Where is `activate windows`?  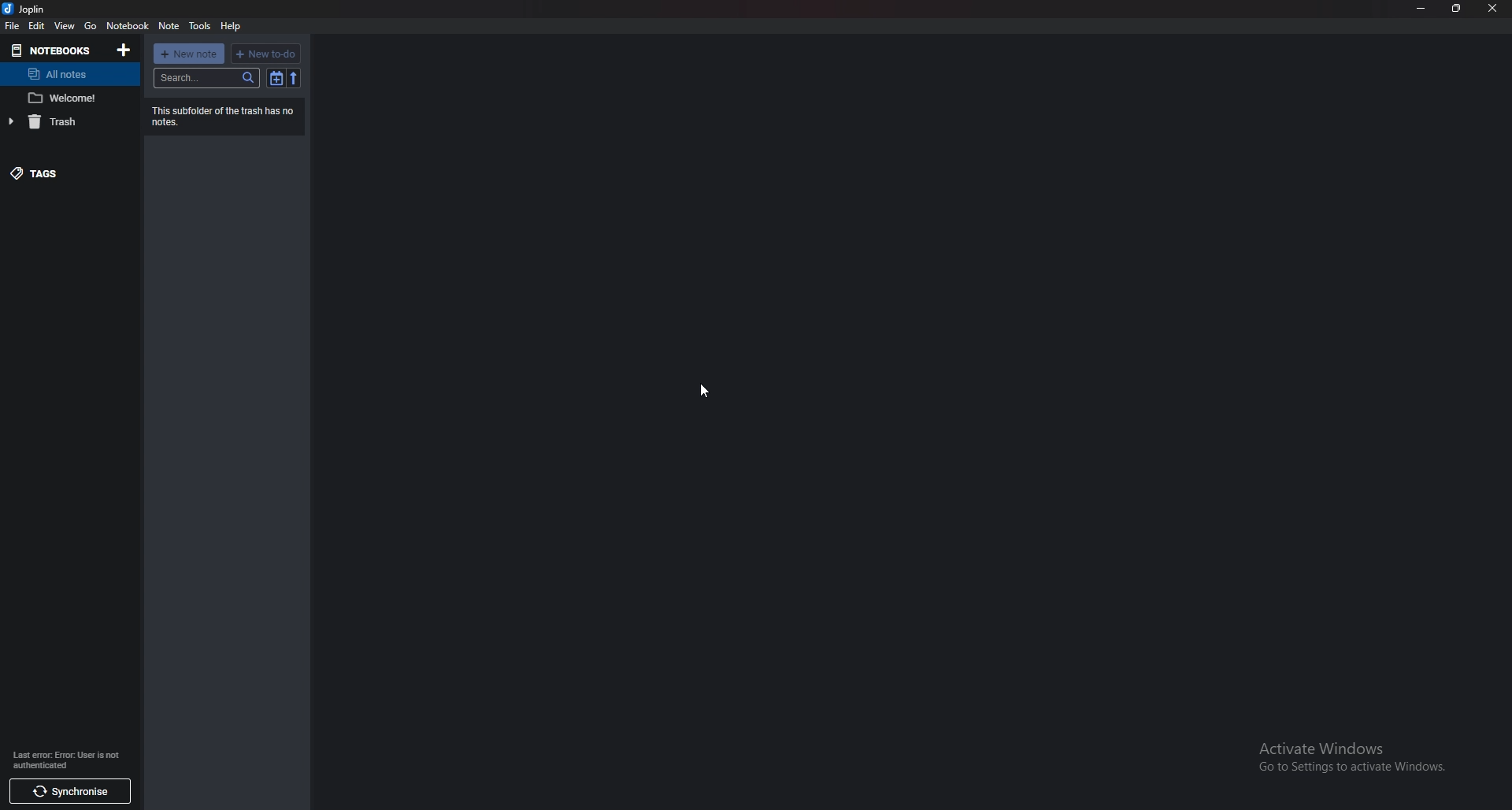 activate windows is located at coordinates (1351, 756).